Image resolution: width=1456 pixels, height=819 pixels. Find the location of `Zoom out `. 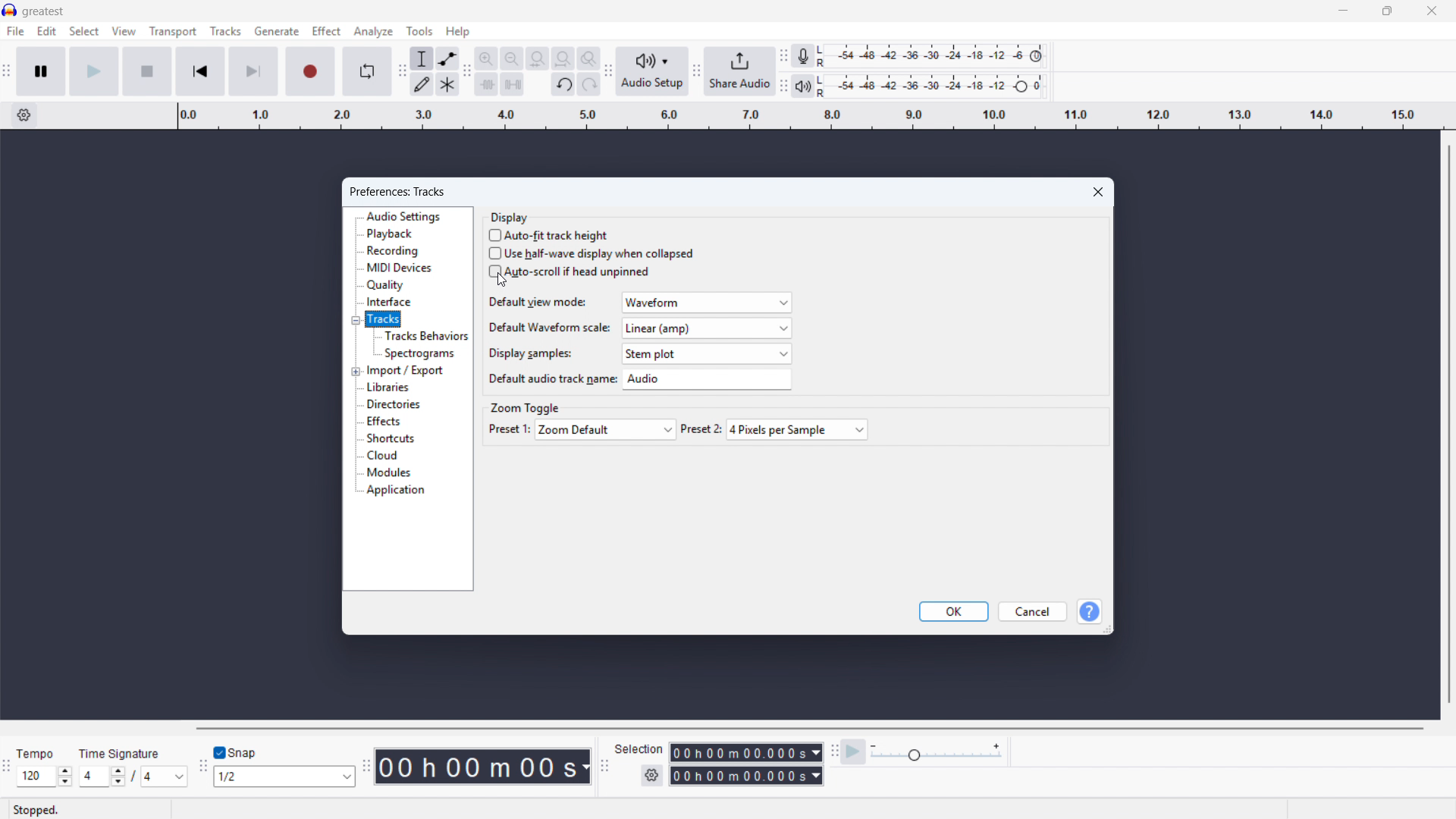

Zoom out  is located at coordinates (512, 58).